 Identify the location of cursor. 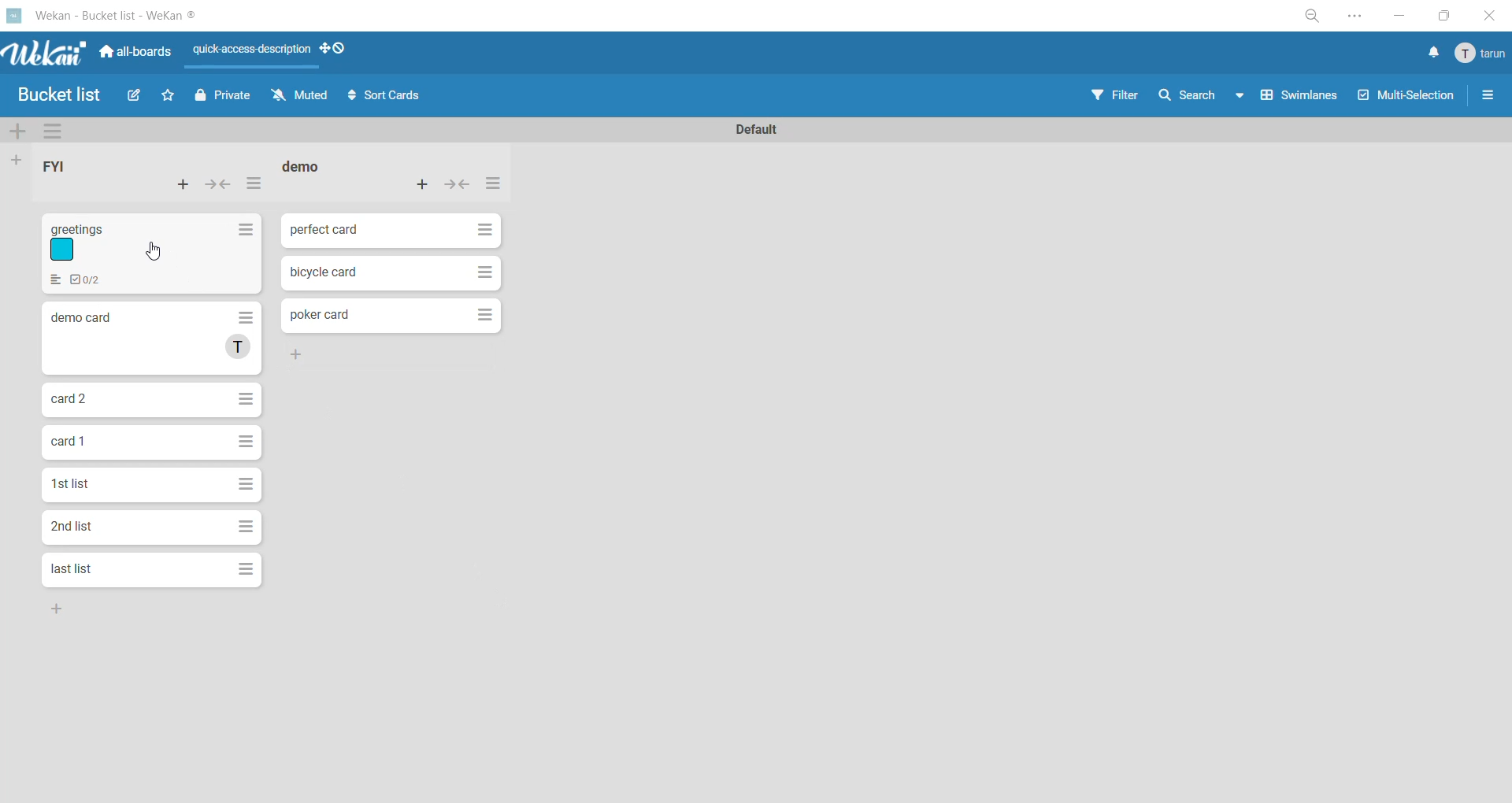
(158, 253).